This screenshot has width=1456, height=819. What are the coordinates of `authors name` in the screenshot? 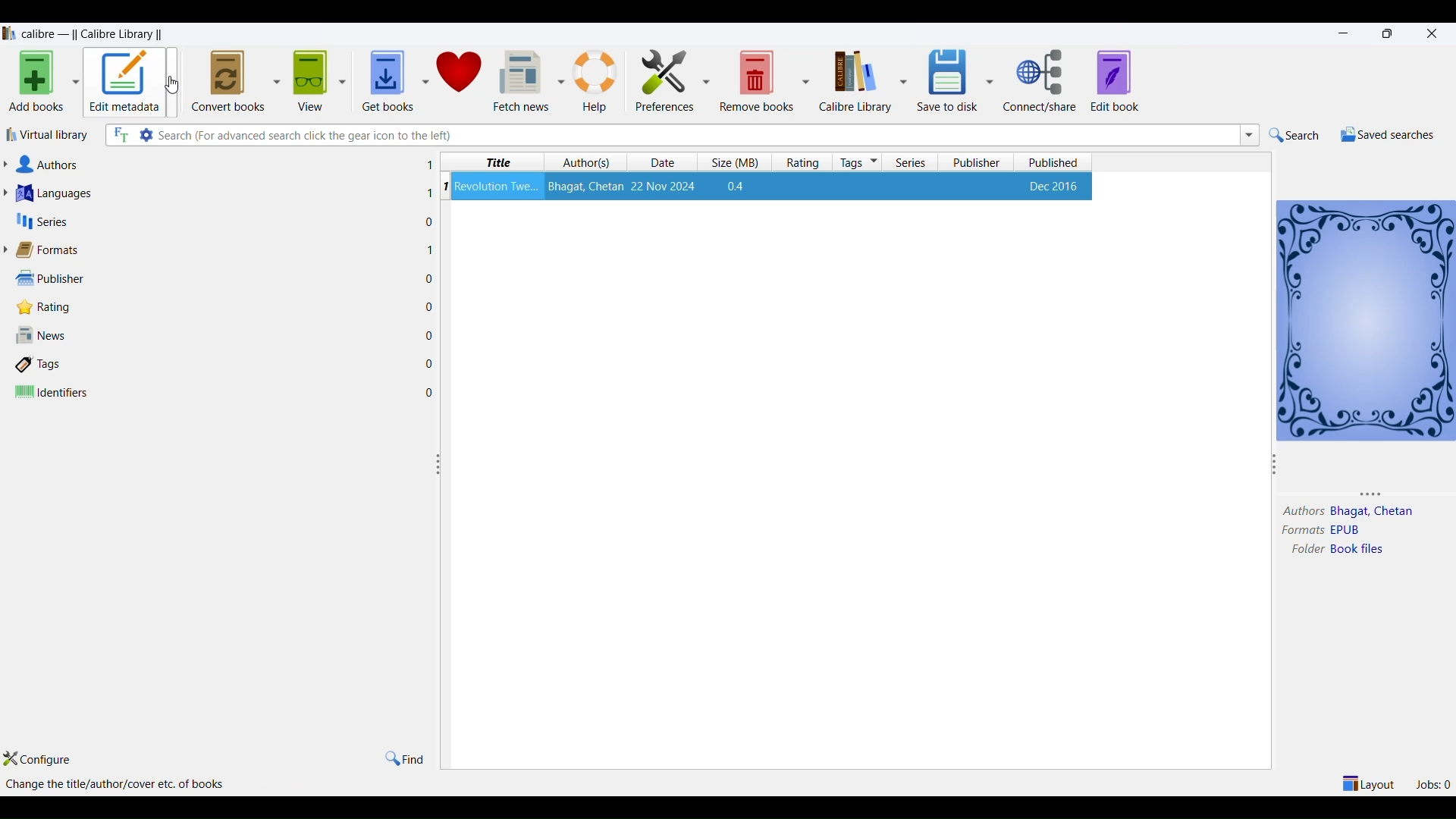 It's located at (1373, 510).